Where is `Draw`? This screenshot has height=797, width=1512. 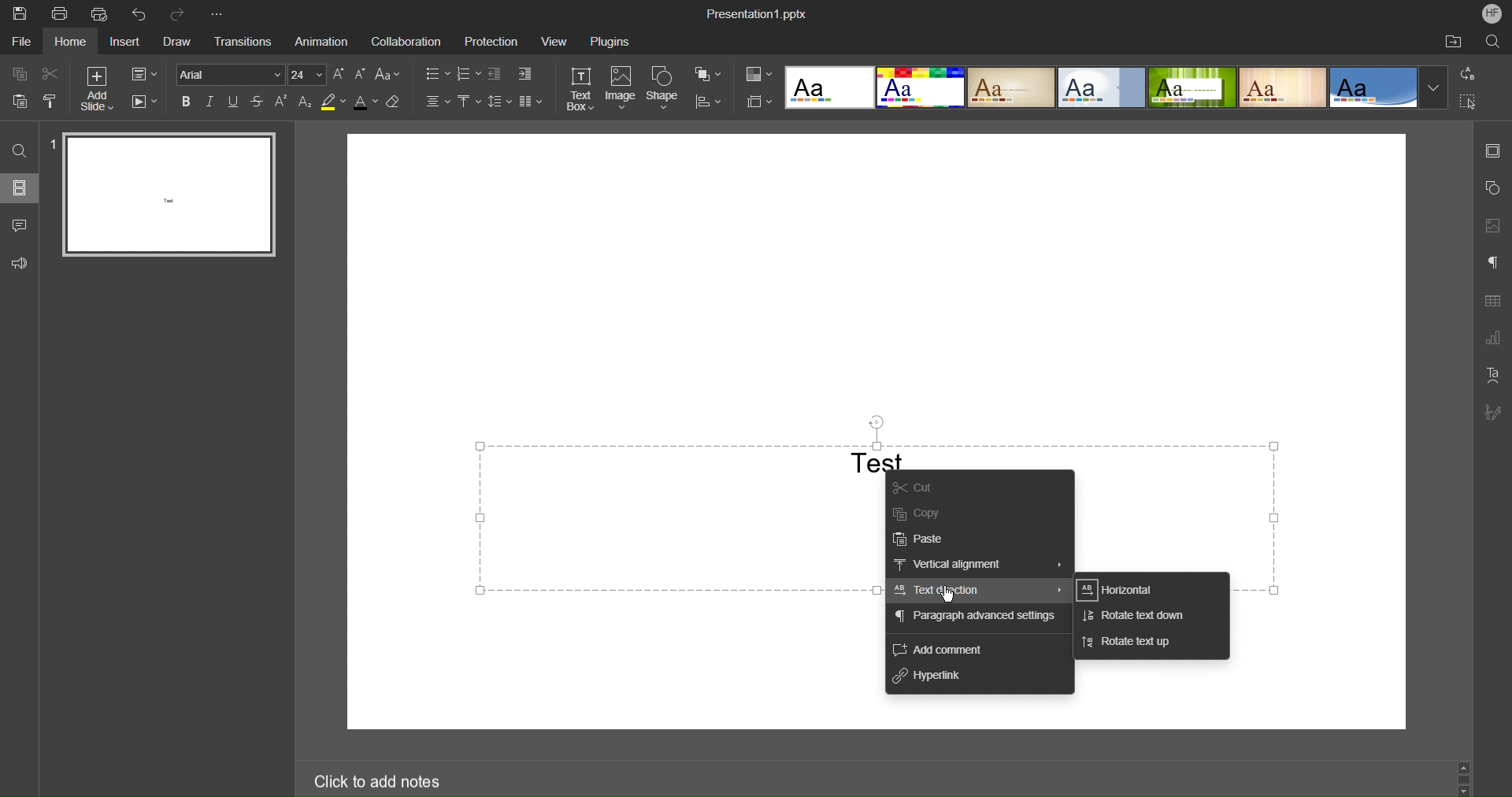 Draw is located at coordinates (183, 41).